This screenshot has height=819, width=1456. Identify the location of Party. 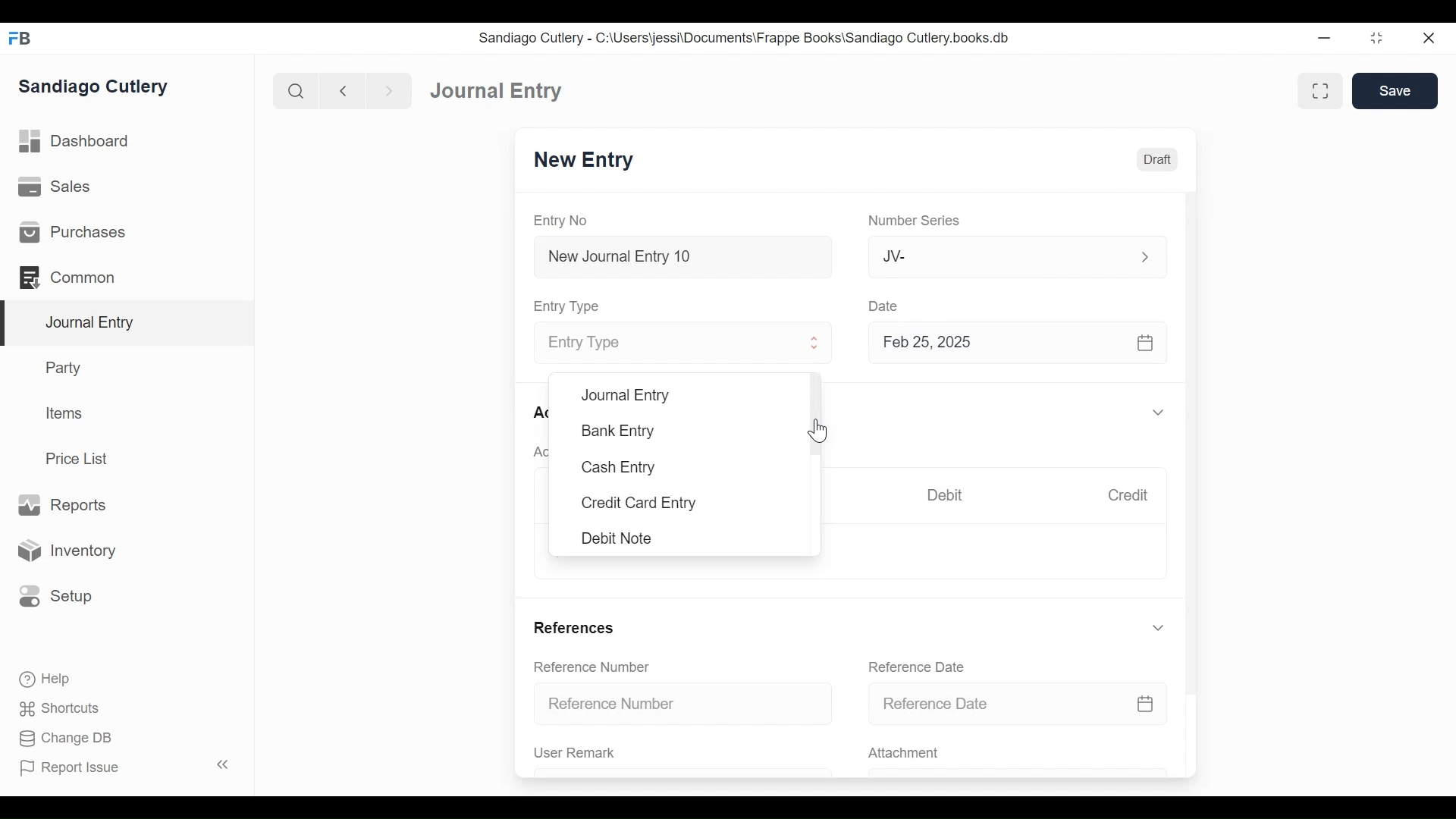
(61, 368).